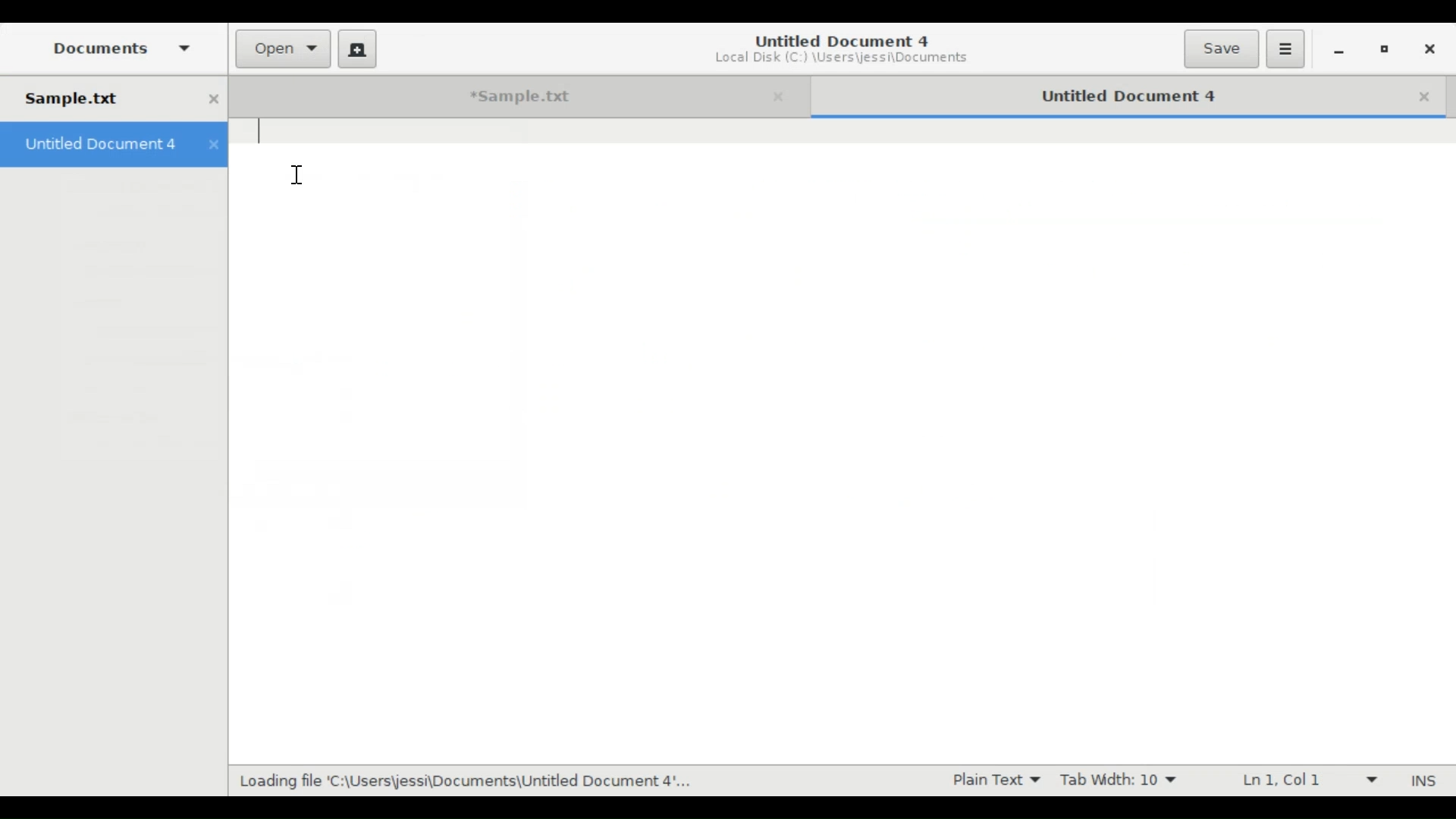 The width and height of the screenshot is (1456, 819). I want to click on Text Entry Pane, so click(840, 384).